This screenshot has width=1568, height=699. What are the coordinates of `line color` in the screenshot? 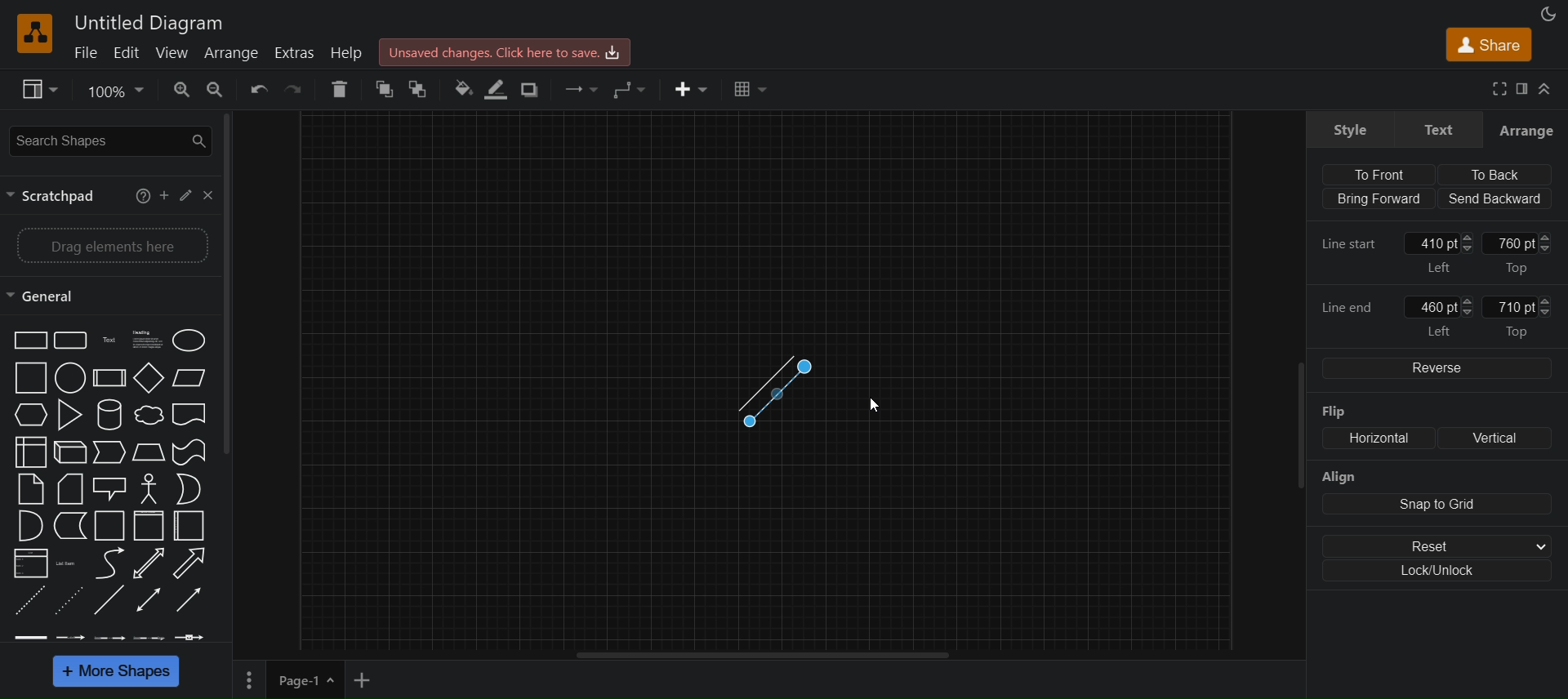 It's located at (497, 88).